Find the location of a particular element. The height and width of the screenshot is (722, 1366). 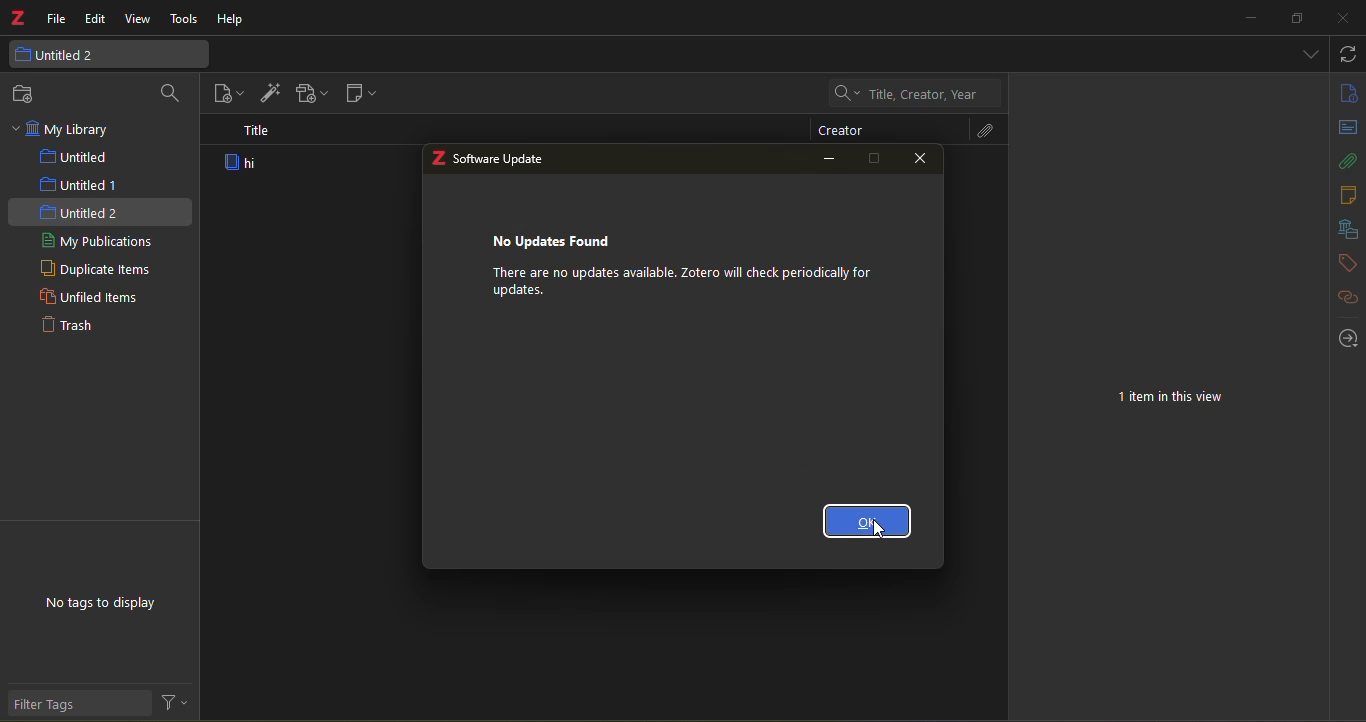

close is located at coordinates (922, 159).